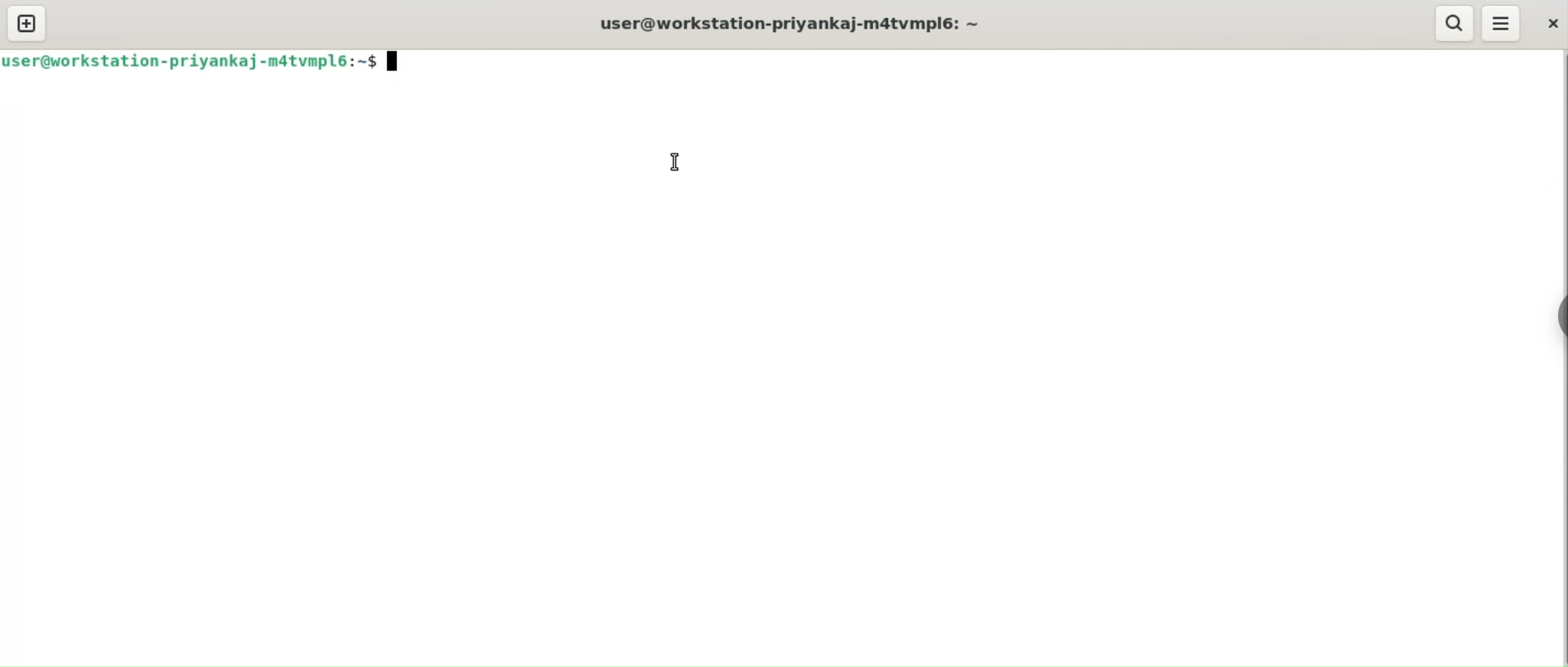  What do you see at coordinates (1454, 23) in the screenshot?
I see `search` at bounding box center [1454, 23].